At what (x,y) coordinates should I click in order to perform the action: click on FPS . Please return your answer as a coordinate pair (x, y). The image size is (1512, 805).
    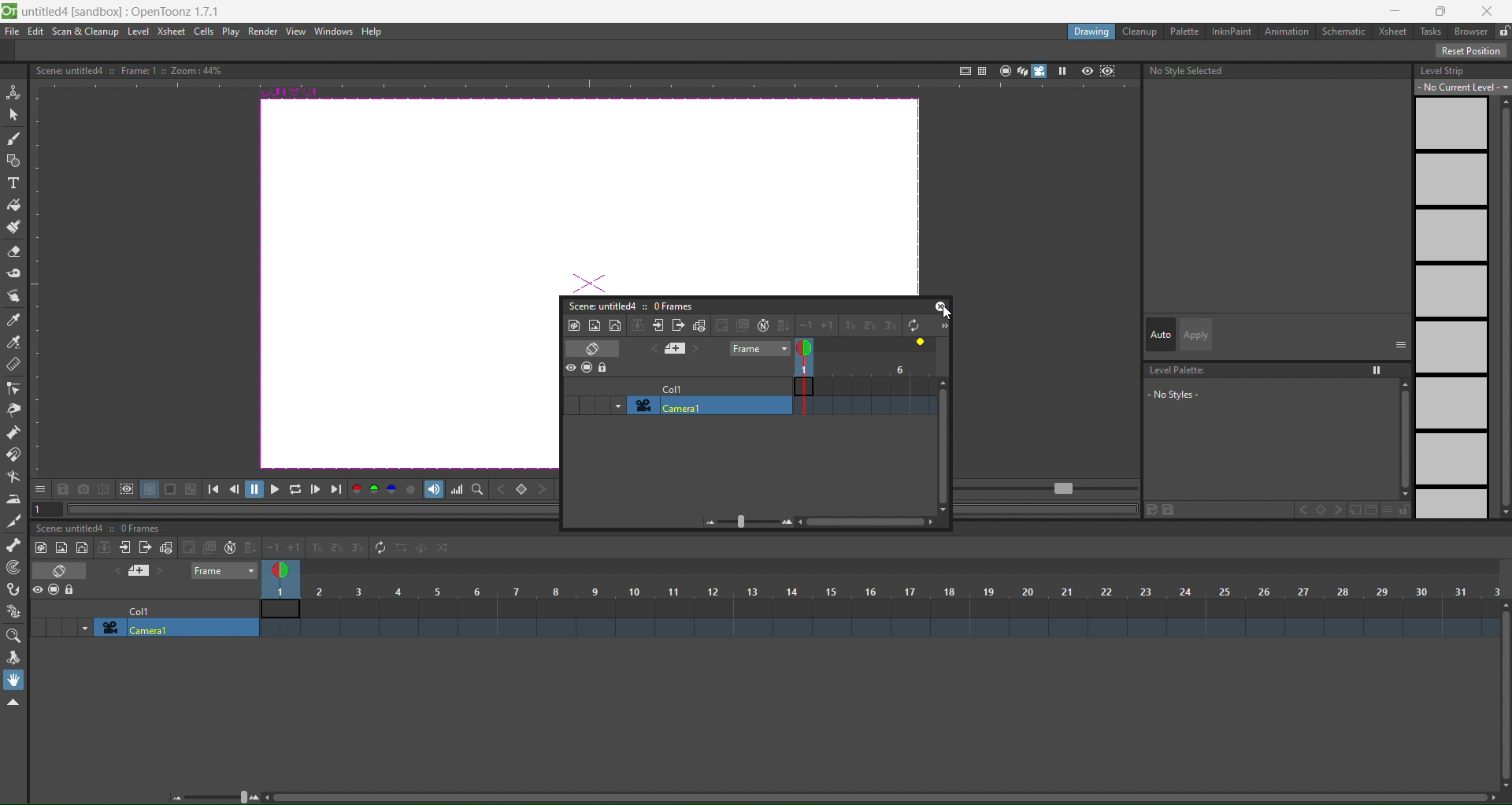
    Looking at the image, I should click on (1048, 489).